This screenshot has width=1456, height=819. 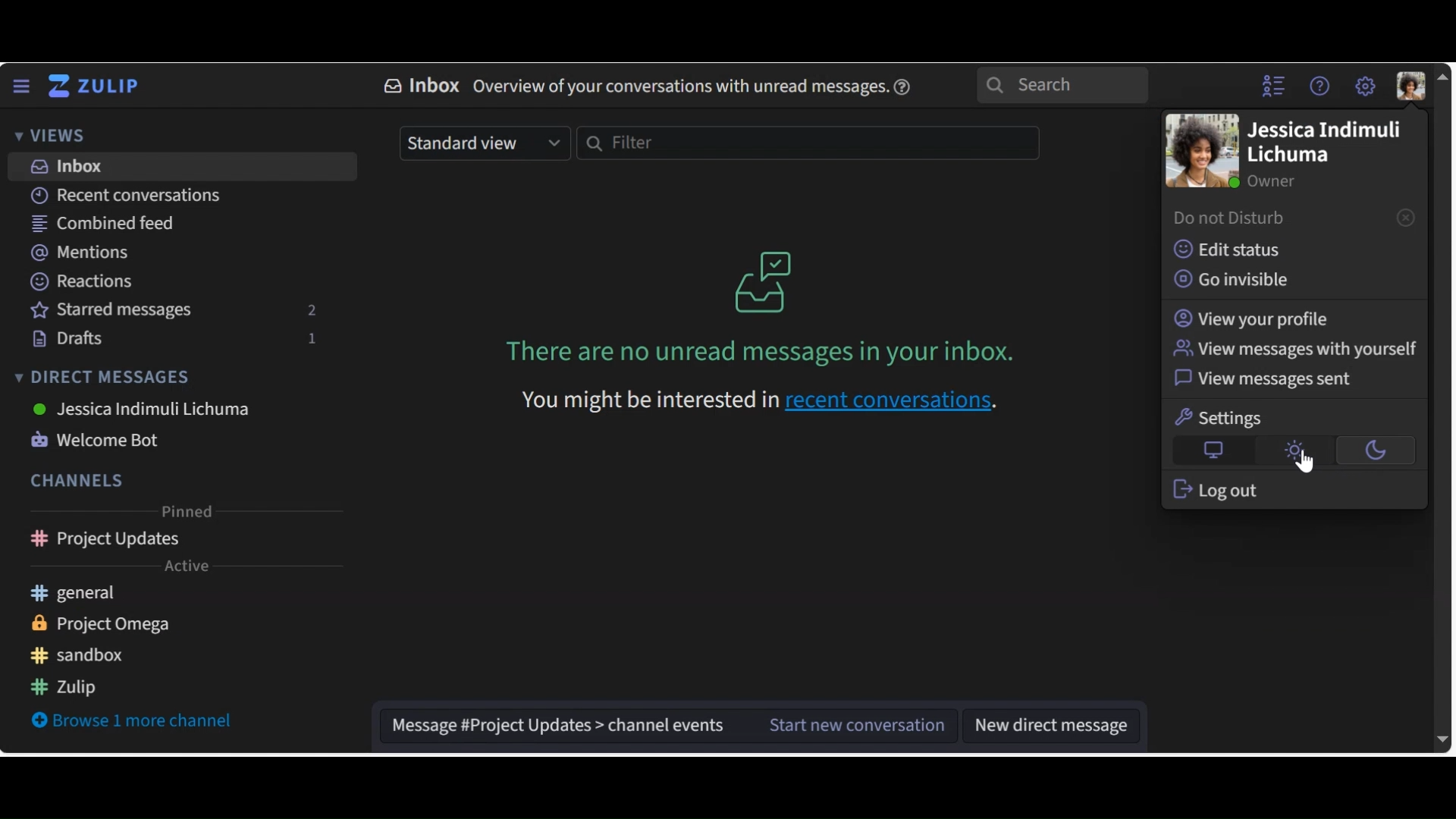 What do you see at coordinates (1254, 318) in the screenshot?
I see `View your profile` at bounding box center [1254, 318].